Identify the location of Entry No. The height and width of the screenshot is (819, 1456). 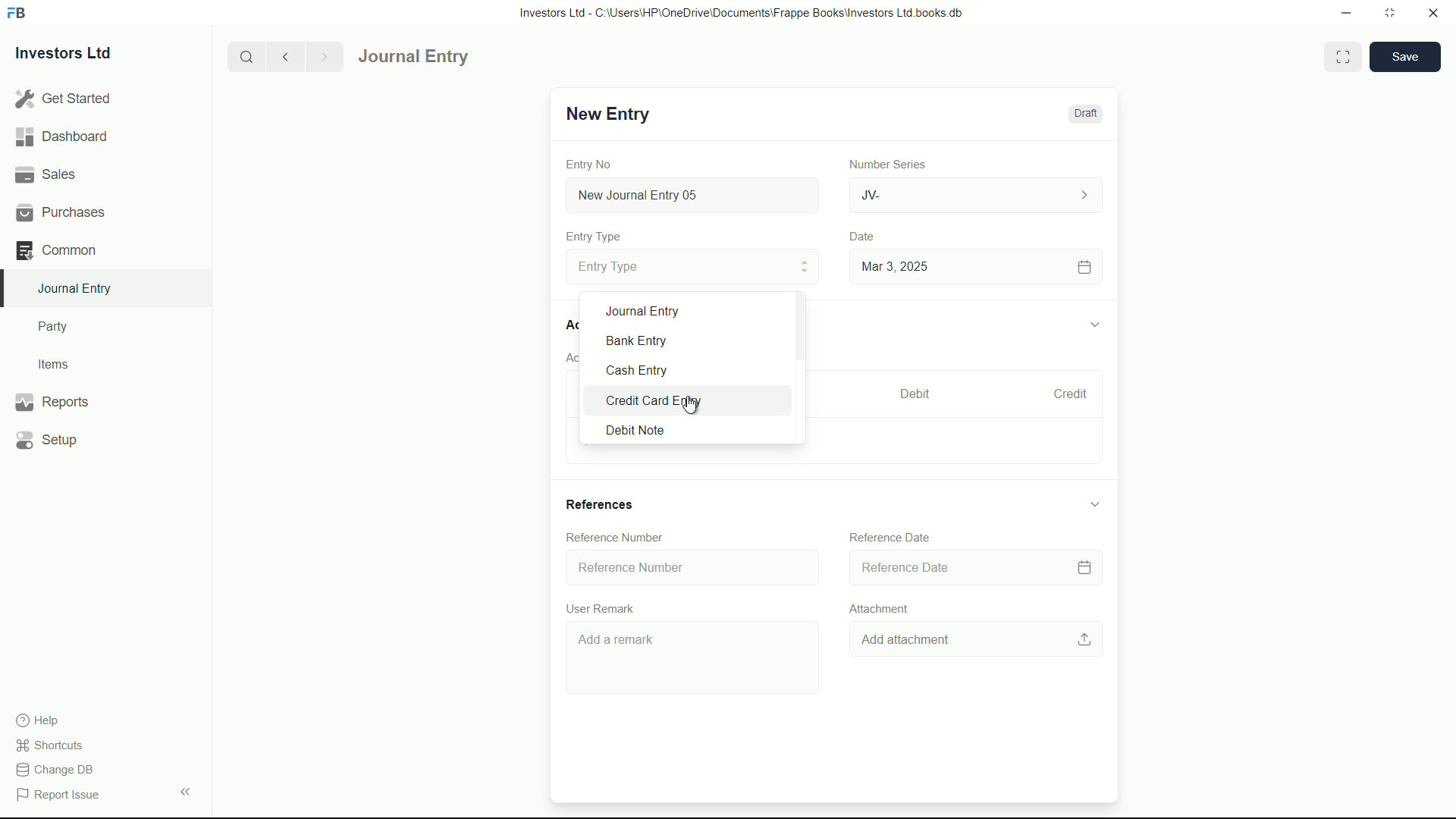
(591, 162).